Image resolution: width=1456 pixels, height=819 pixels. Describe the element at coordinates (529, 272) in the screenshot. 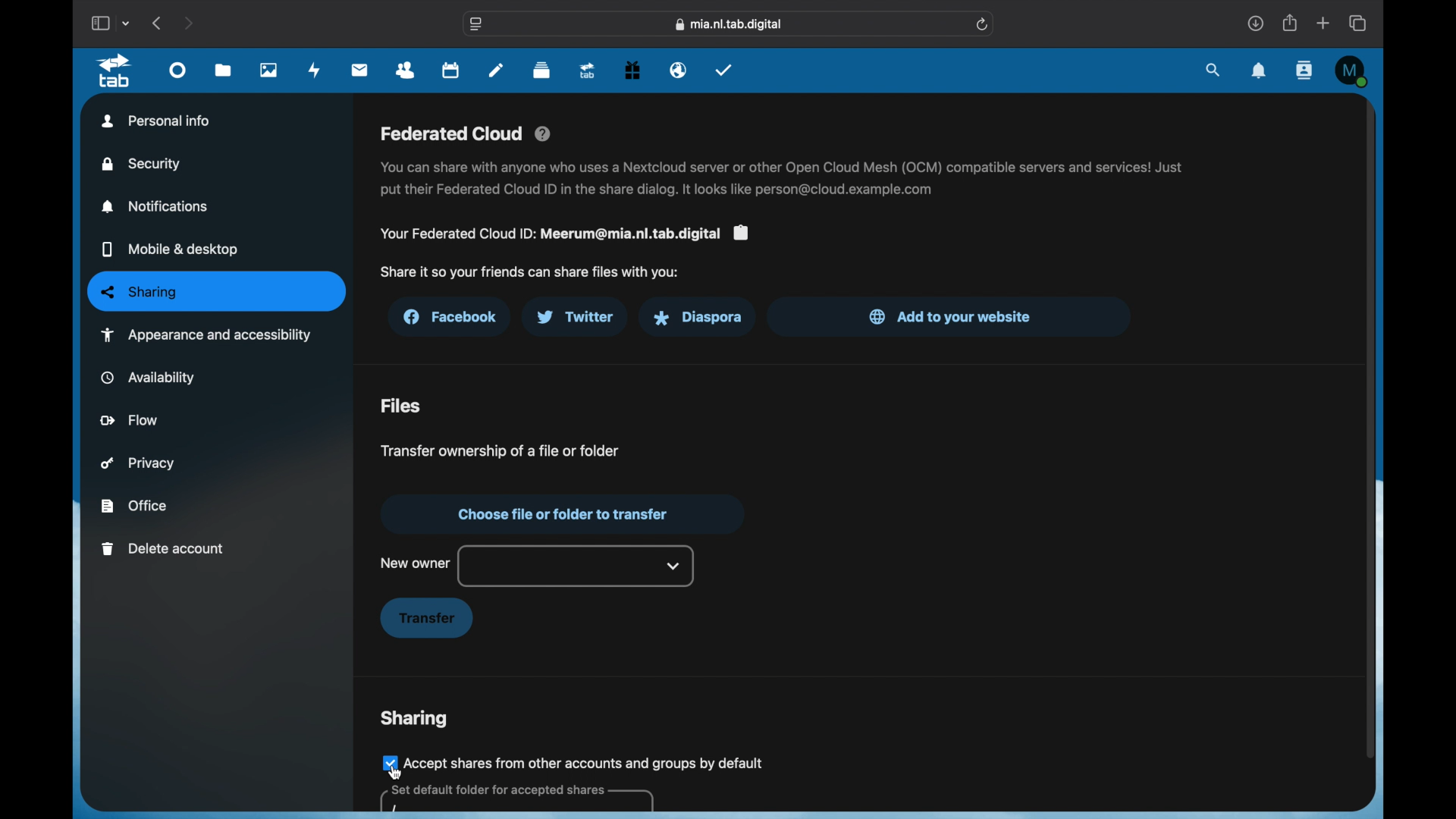

I see `info` at that location.